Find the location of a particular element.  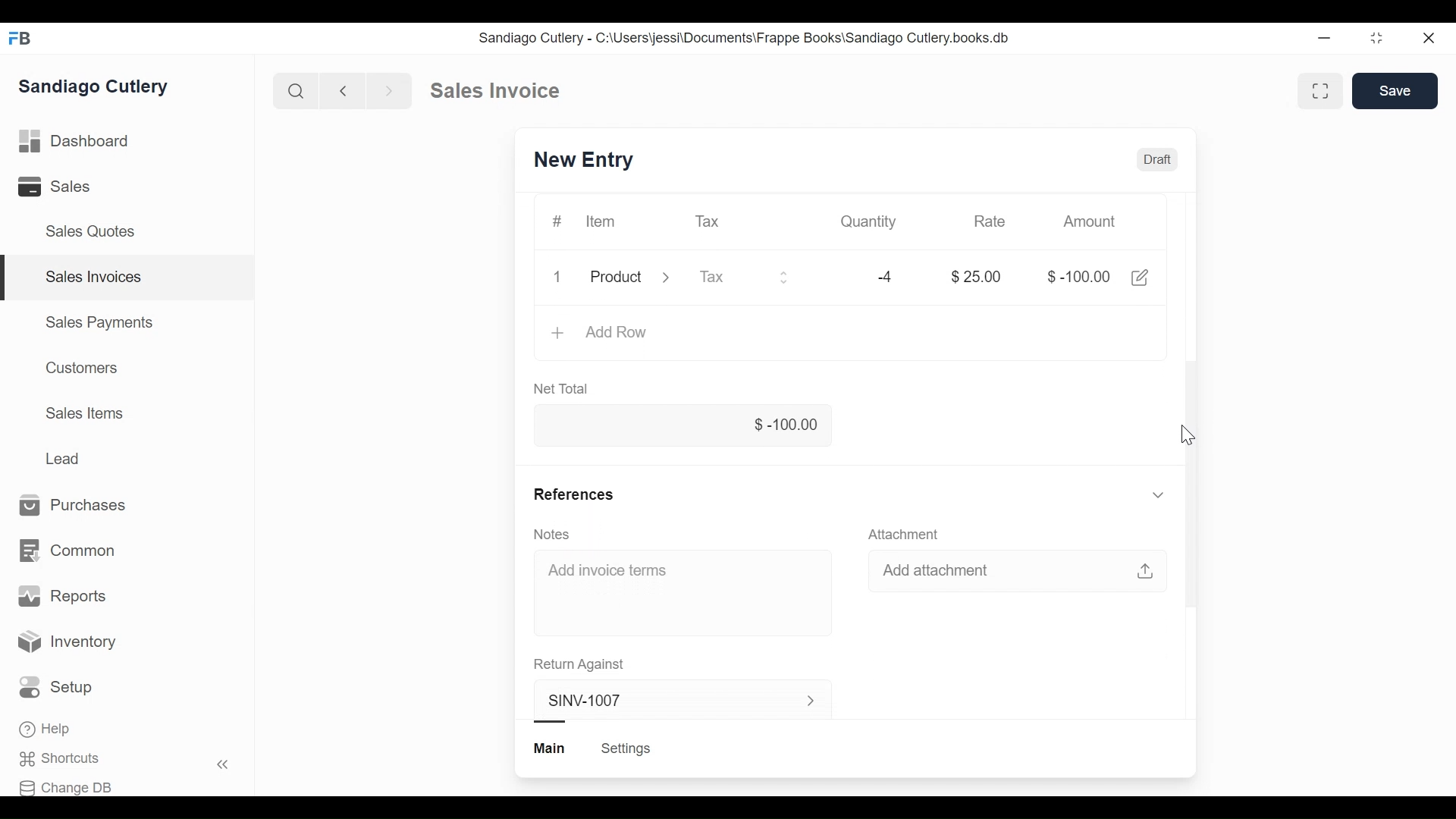

 Change DB is located at coordinates (67, 787).